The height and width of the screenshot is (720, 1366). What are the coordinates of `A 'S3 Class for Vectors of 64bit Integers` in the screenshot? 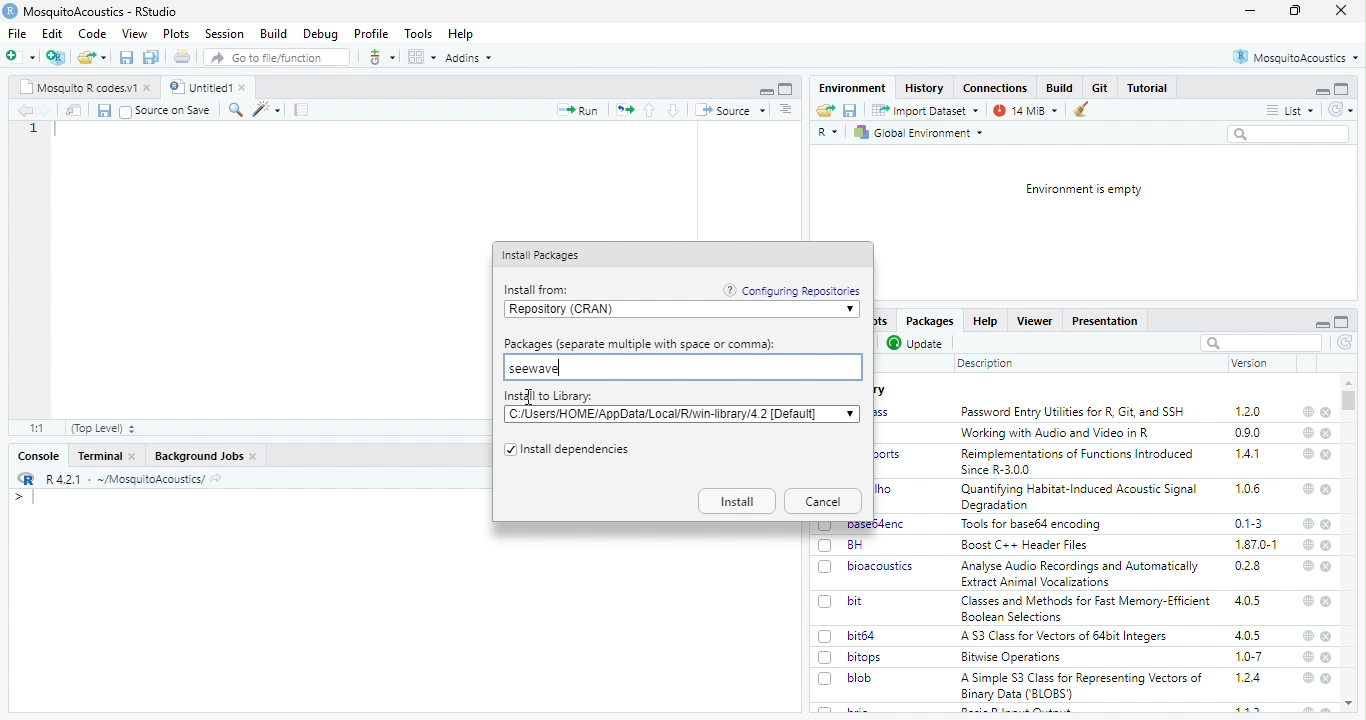 It's located at (1066, 637).